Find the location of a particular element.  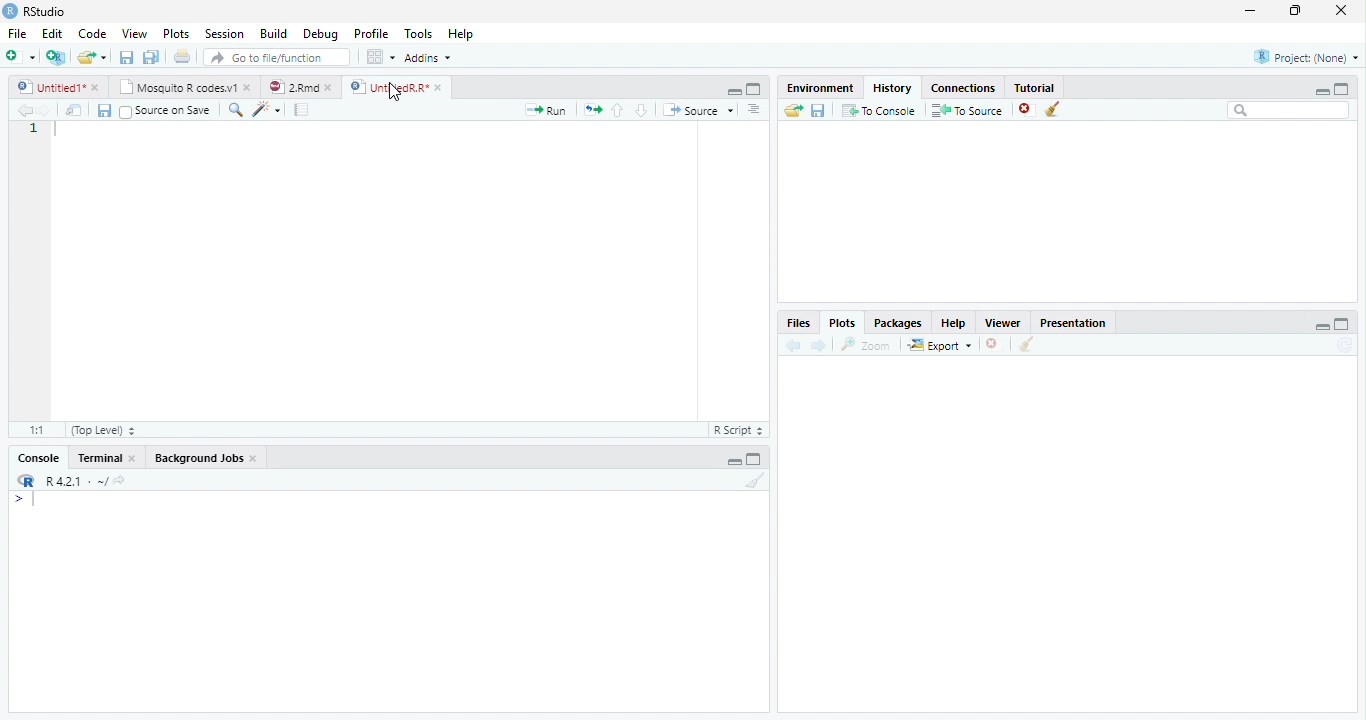

Background Jobs is located at coordinates (199, 458).